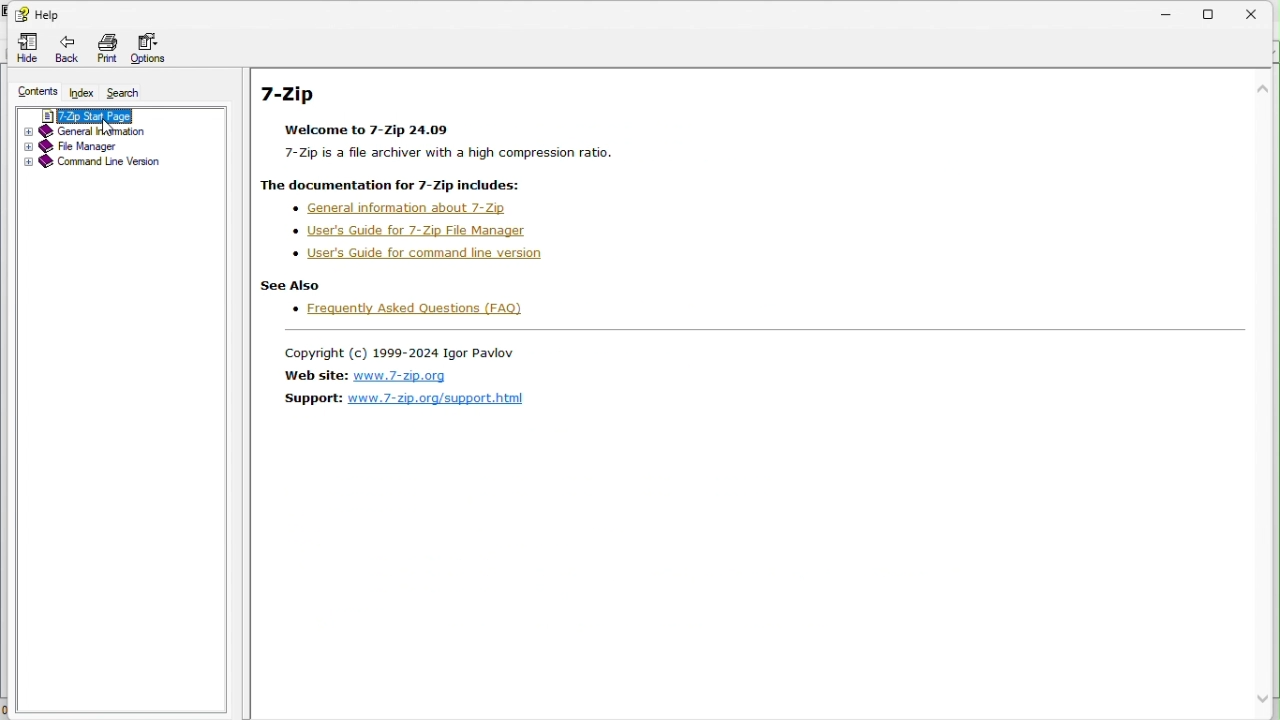  What do you see at coordinates (154, 48) in the screenshot?
I see `Options` at bounding box center [154, 48].